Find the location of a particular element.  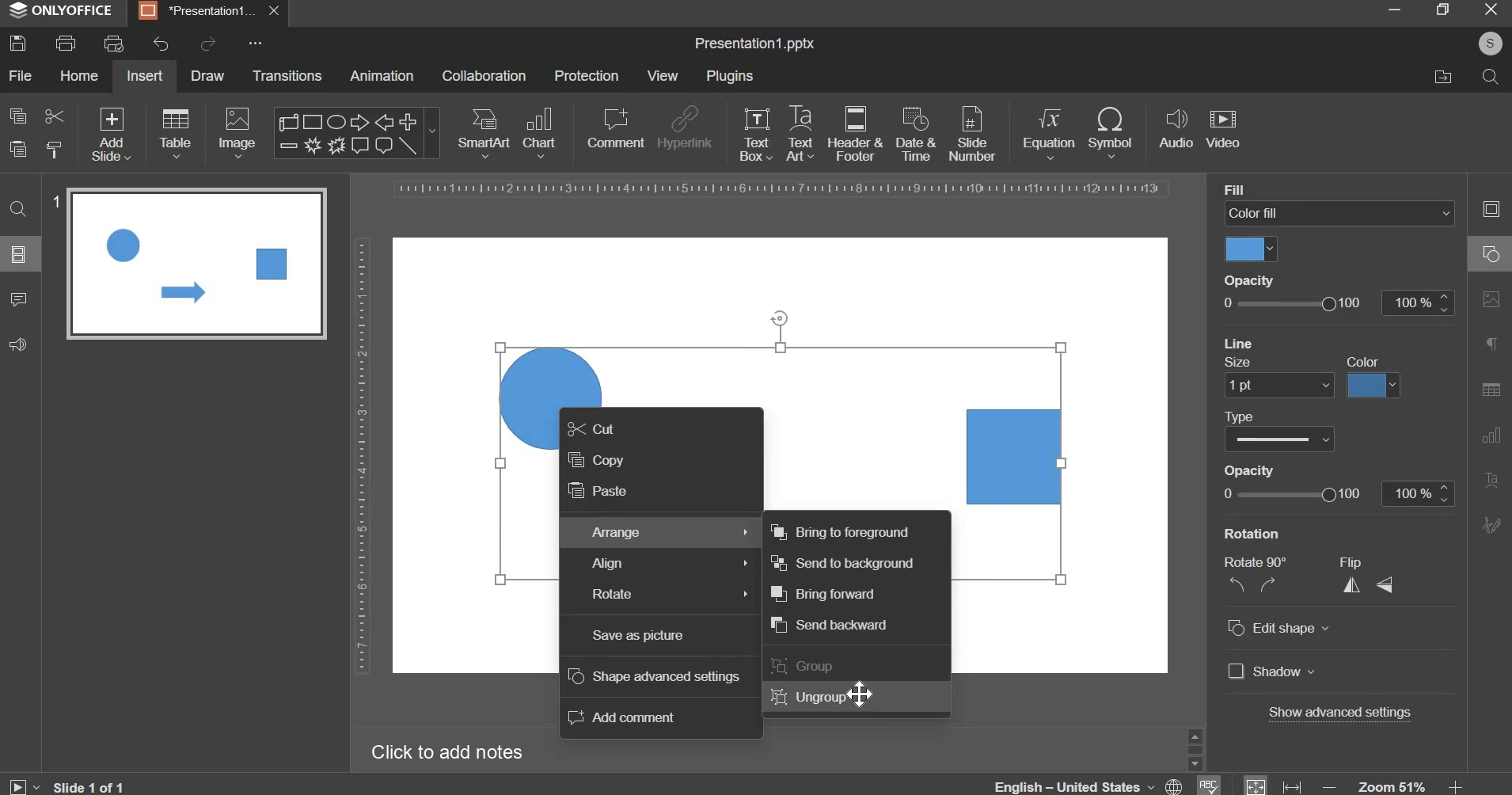

fit to screen is located at coordinates (1256, 784).